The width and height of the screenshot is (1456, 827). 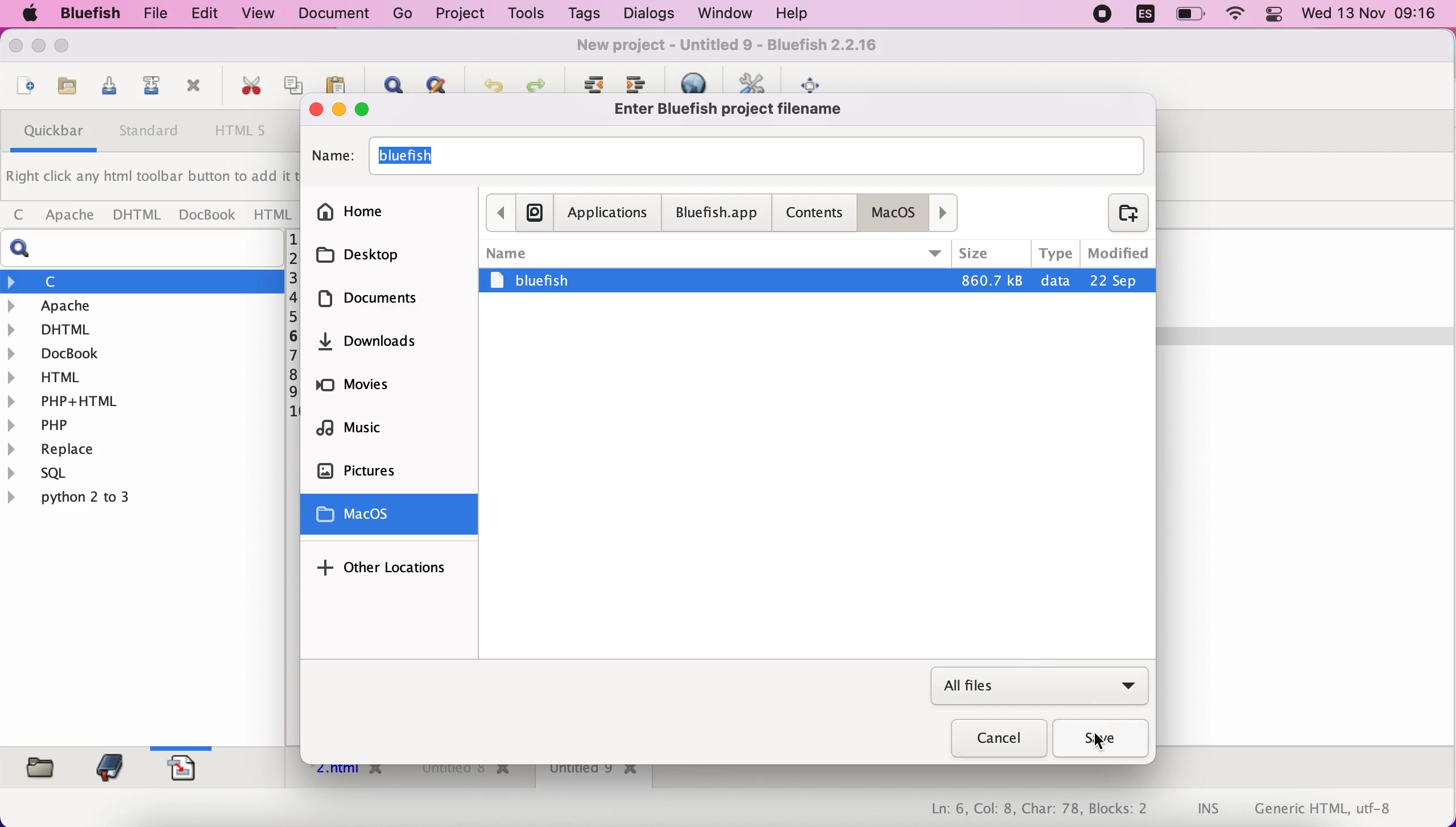 What do you see at coordinates (388, 81) in the screenshot?
I see `show find bar` at bounding box center [388, 81].